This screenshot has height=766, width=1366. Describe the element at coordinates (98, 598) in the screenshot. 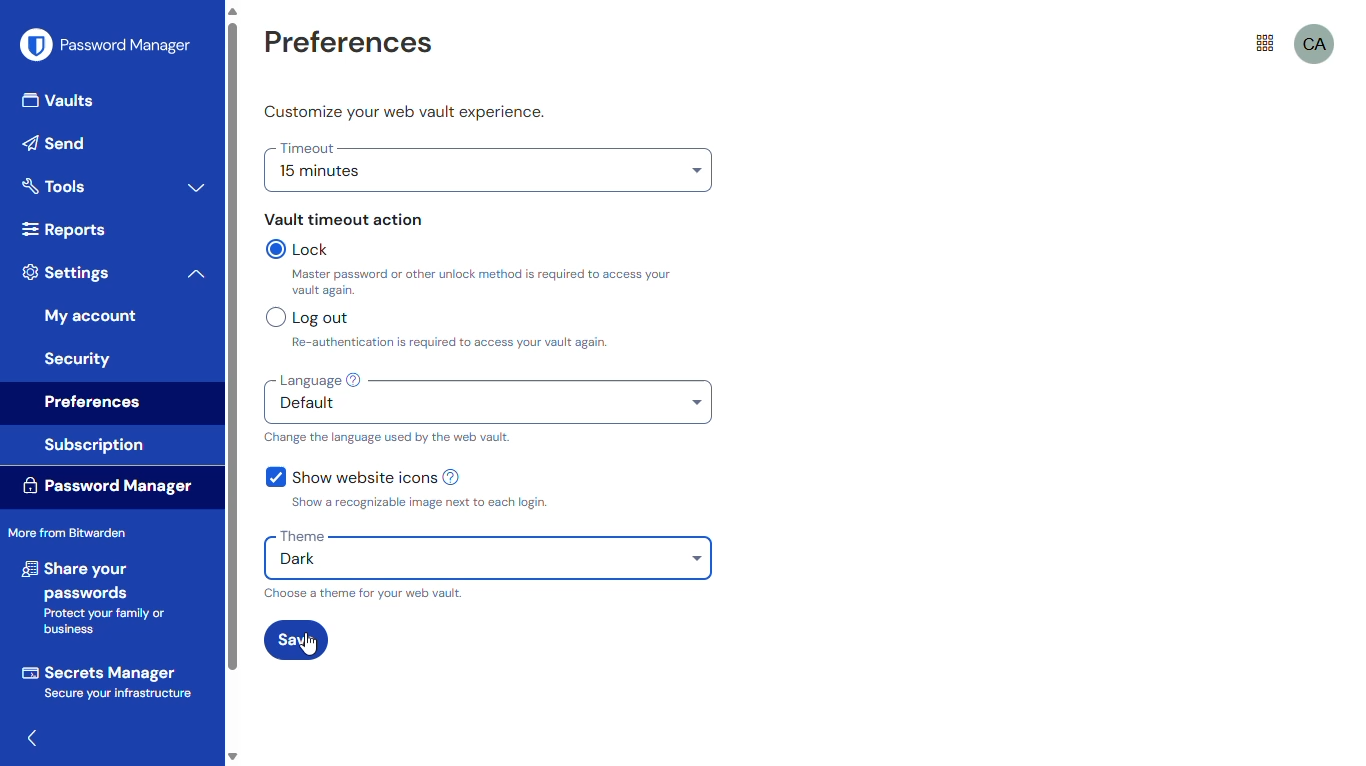

I see `share your passwords Protect your family or business` at that location.